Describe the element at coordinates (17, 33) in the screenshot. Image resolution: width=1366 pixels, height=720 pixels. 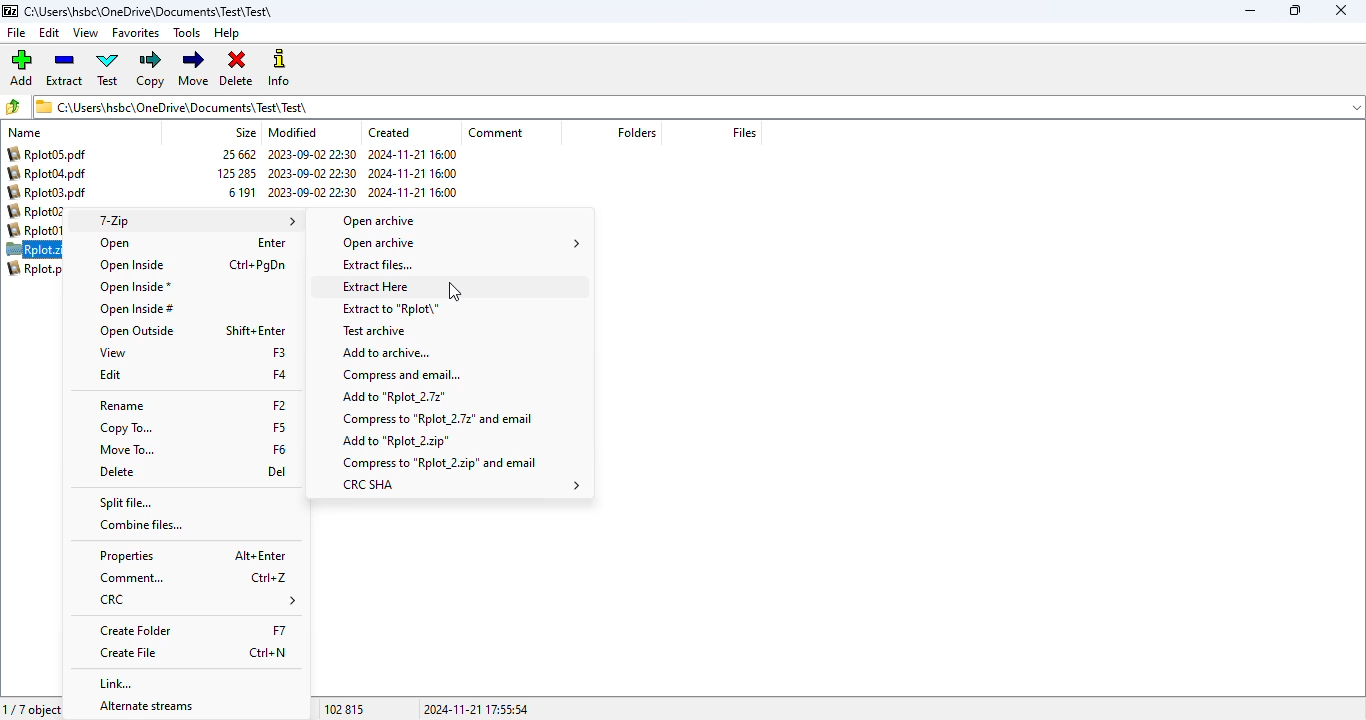
I see `file` at that location.